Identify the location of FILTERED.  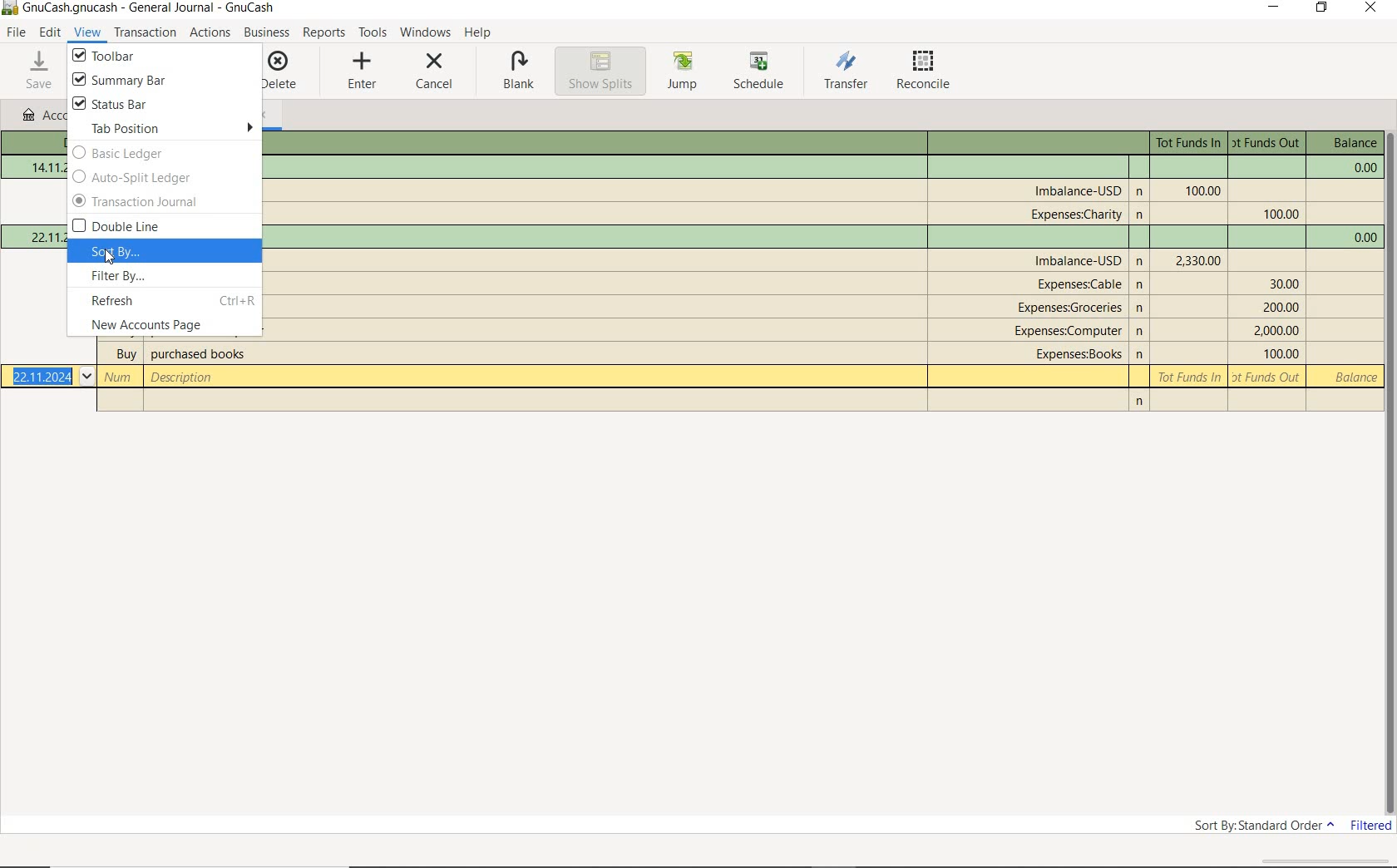
(1369, 830).